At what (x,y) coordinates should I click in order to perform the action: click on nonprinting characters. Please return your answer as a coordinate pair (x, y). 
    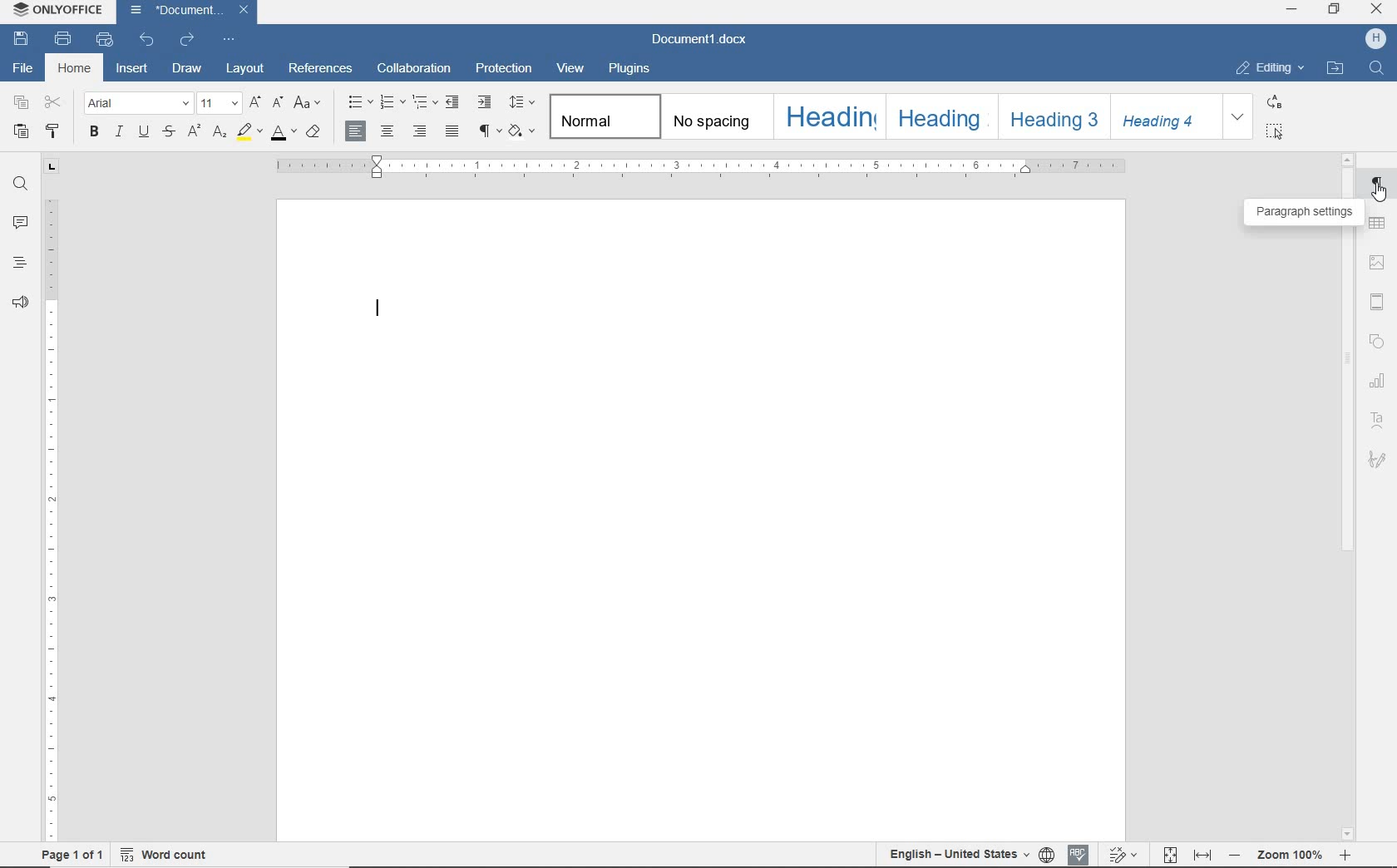
    Looking at the image, I should click on (488, 132).